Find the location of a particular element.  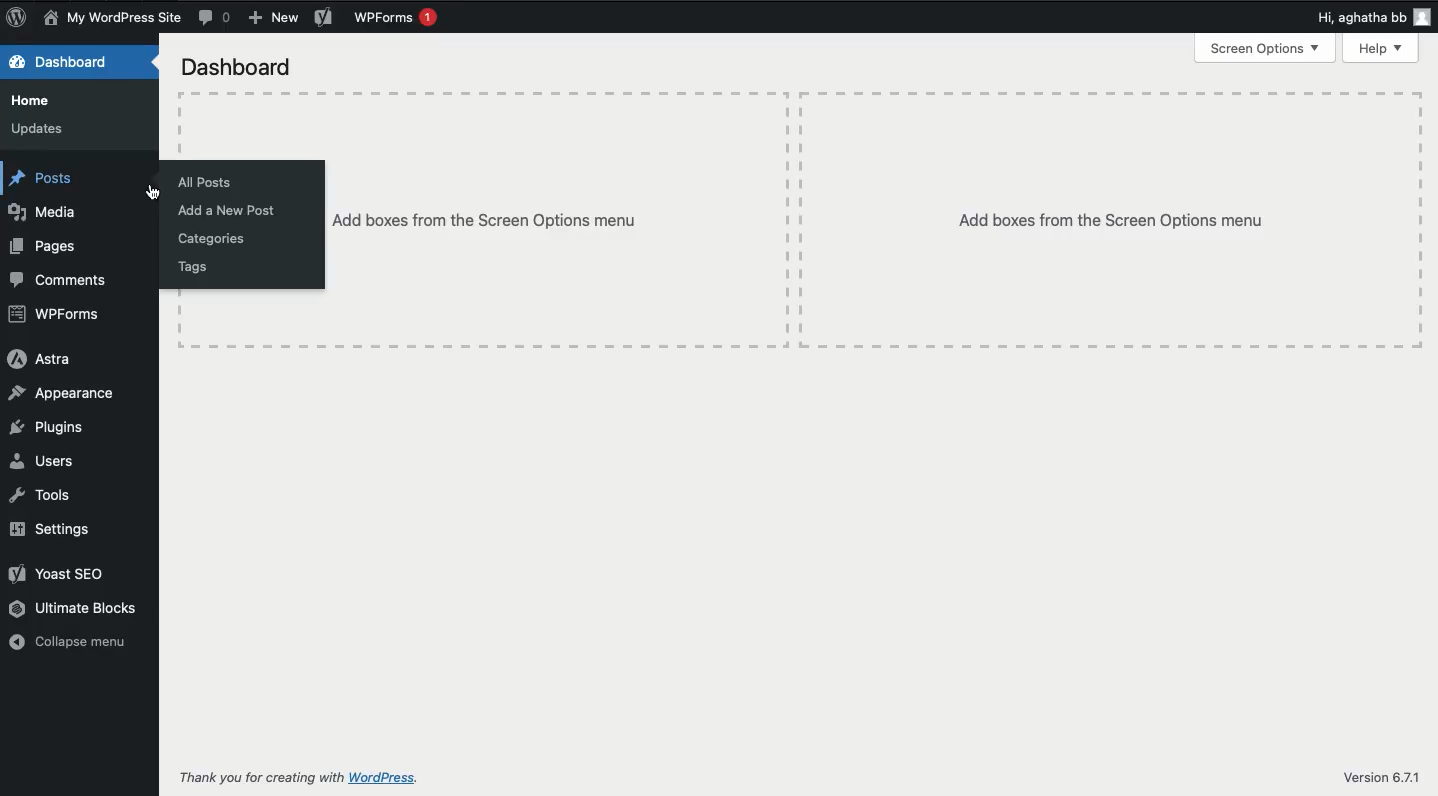

WPForms is located at coordinates (58, 311).